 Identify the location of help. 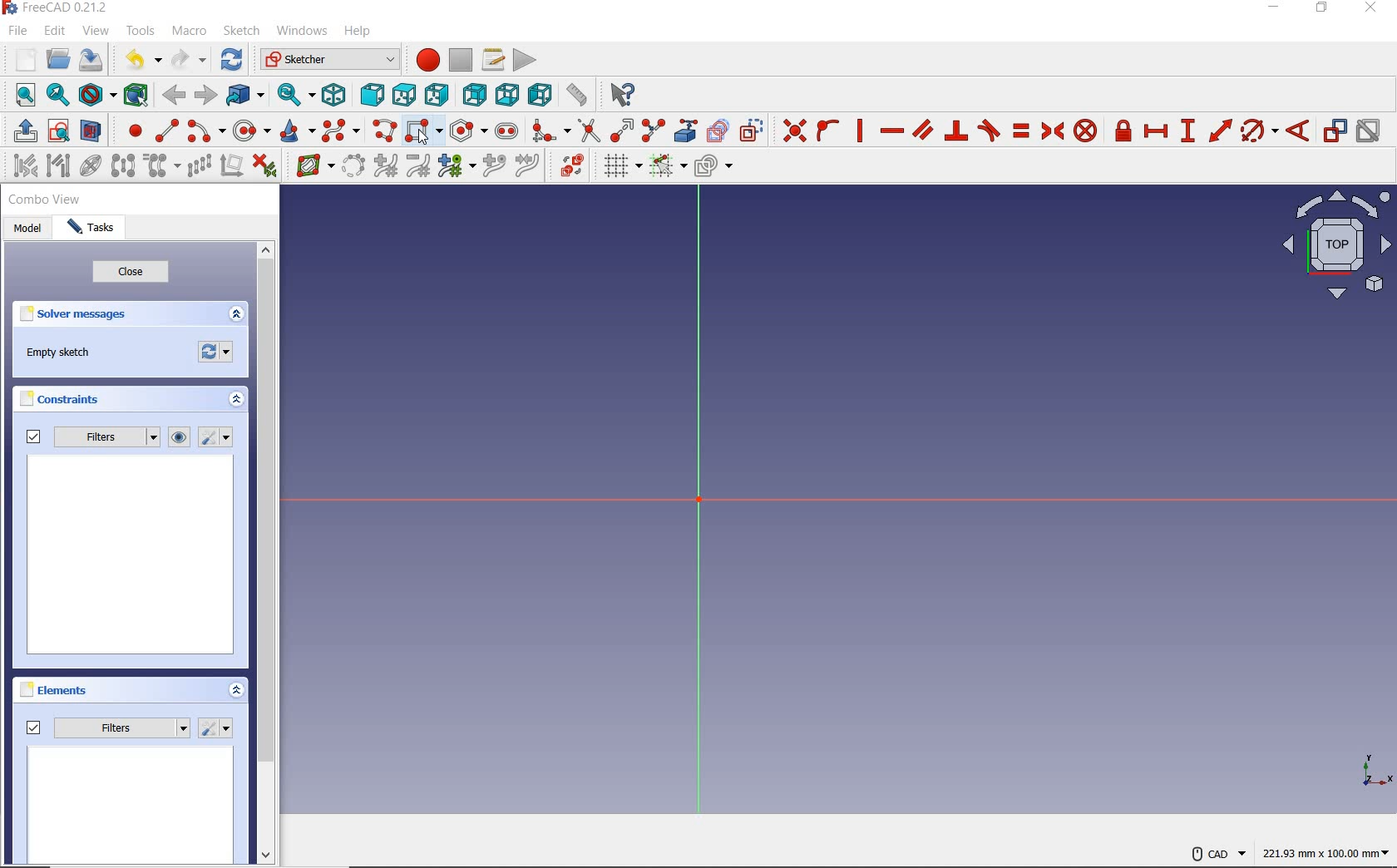
(358, 31).